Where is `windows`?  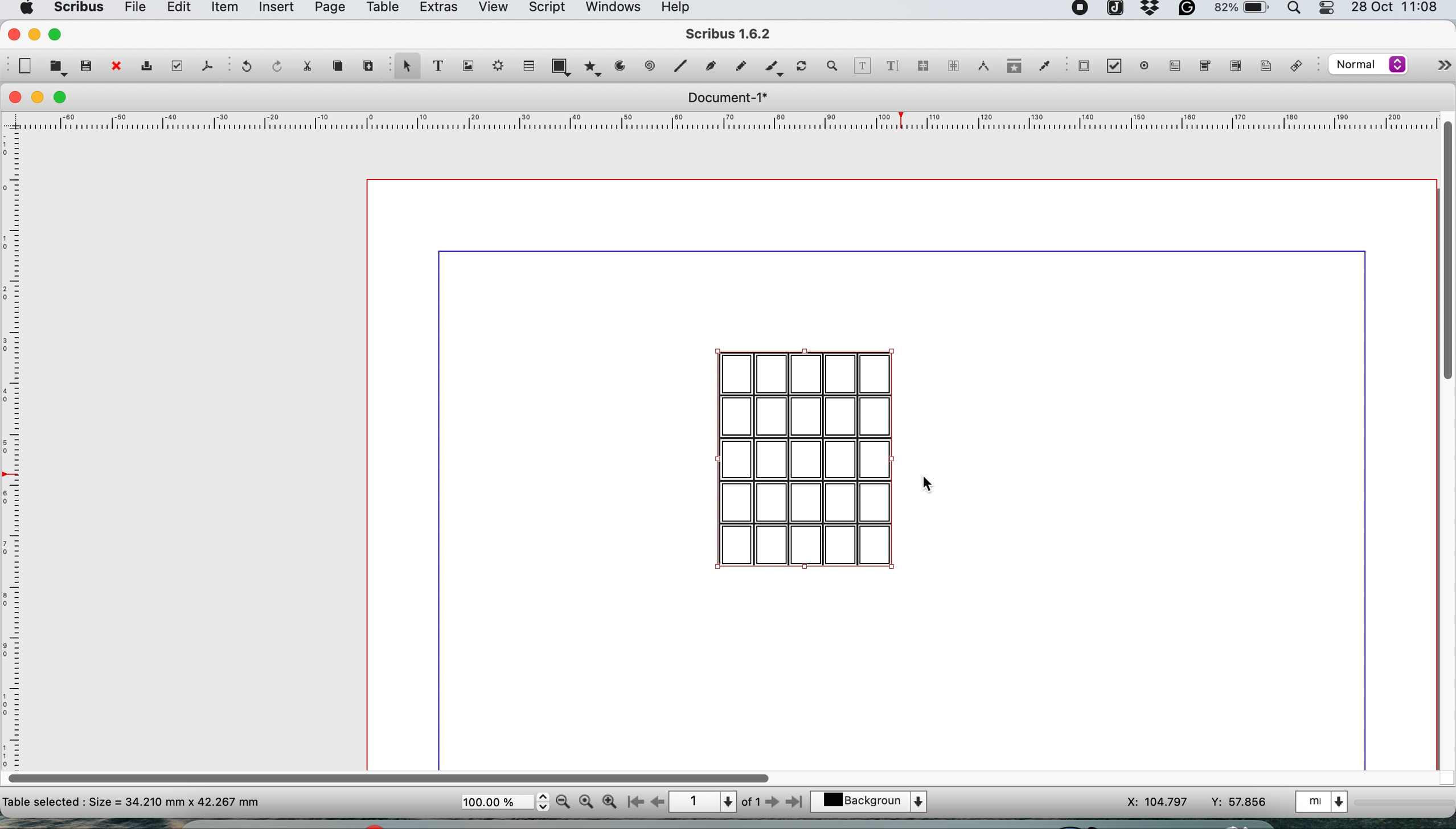
windows is located at coordinates (612, 10).